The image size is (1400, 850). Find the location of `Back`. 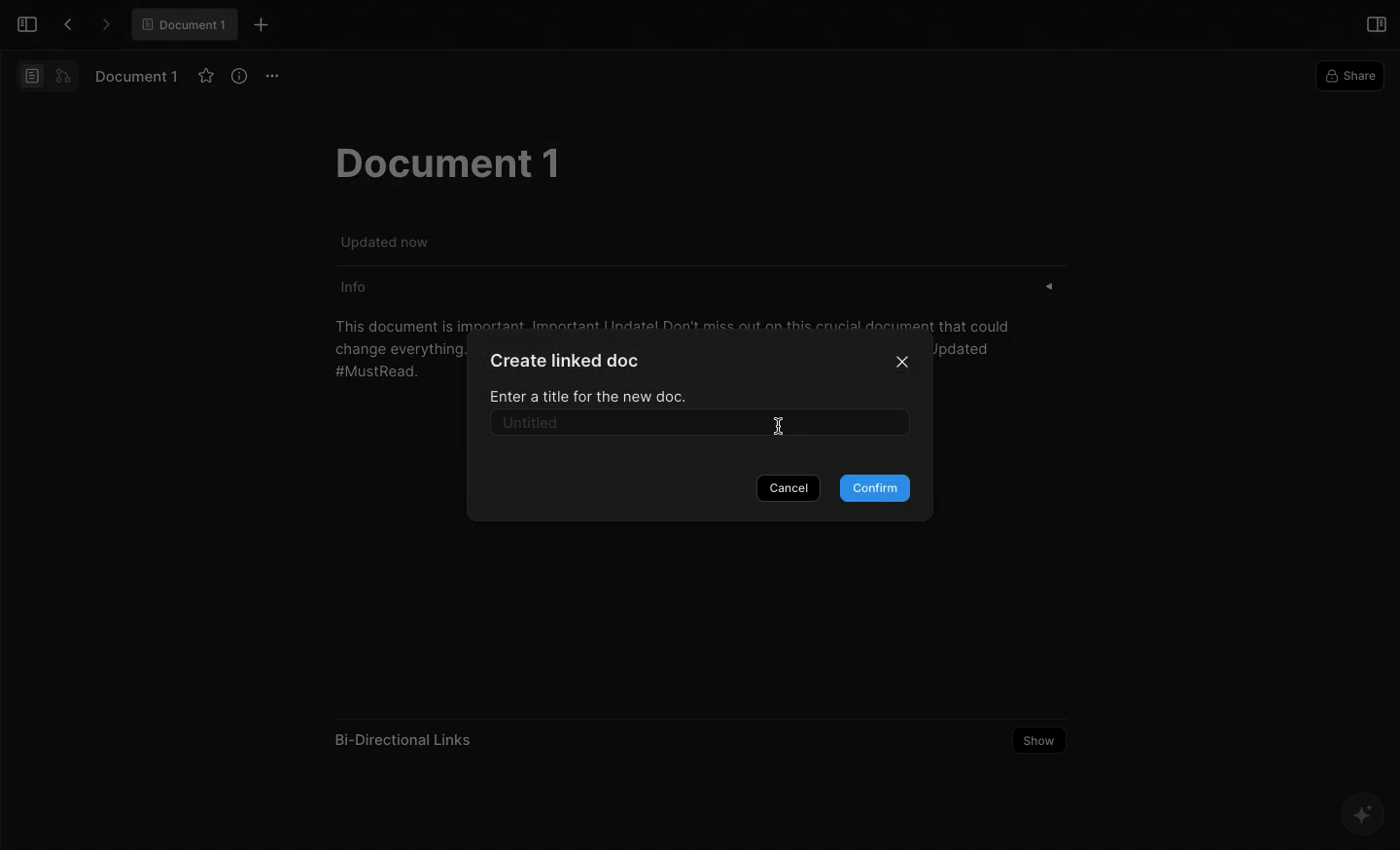

Back is located at coordinates (62, 23).